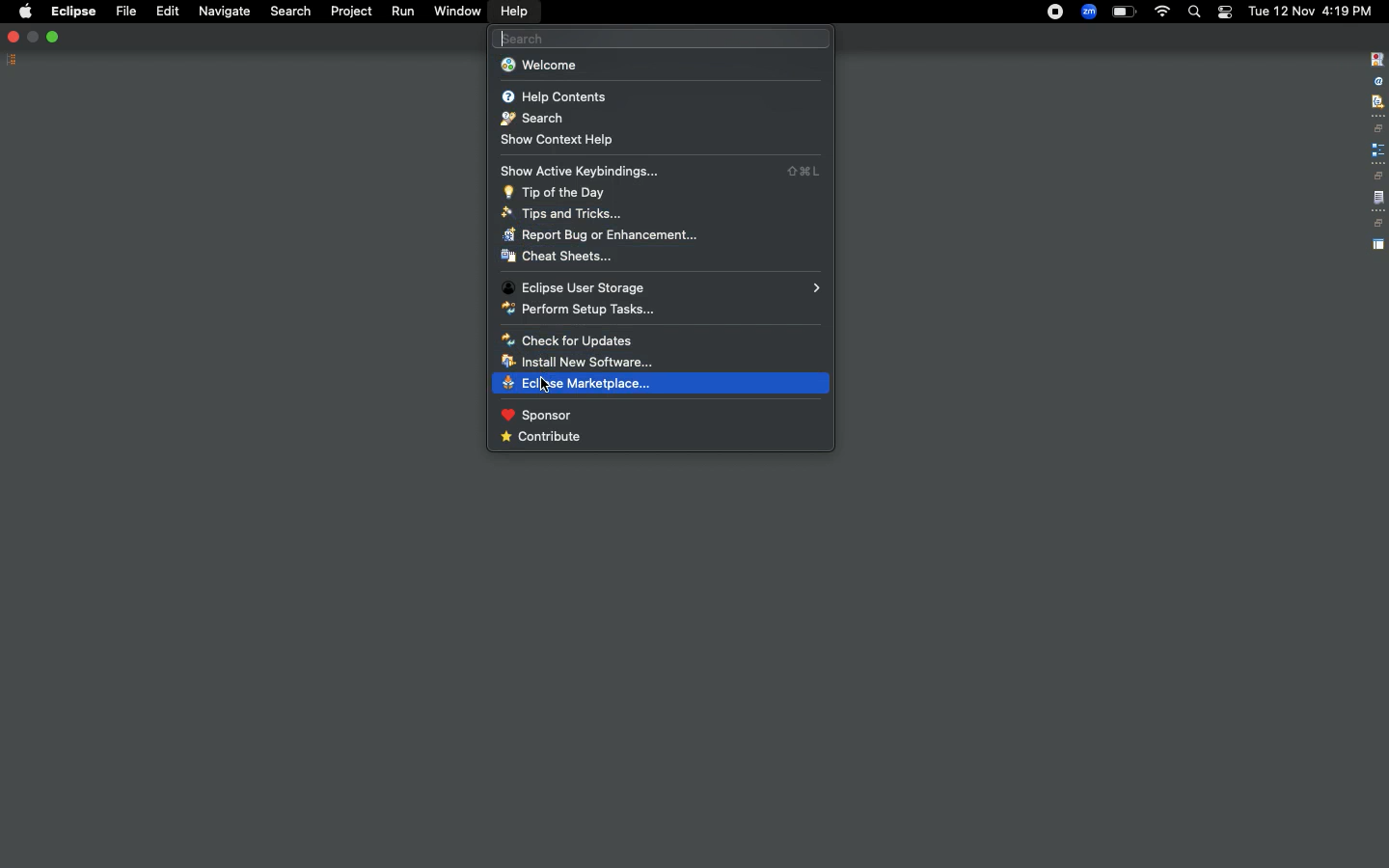 The height and width of the screenshot is (868, 1389). I want to click on Perform setup tasks, so click(578, 311).